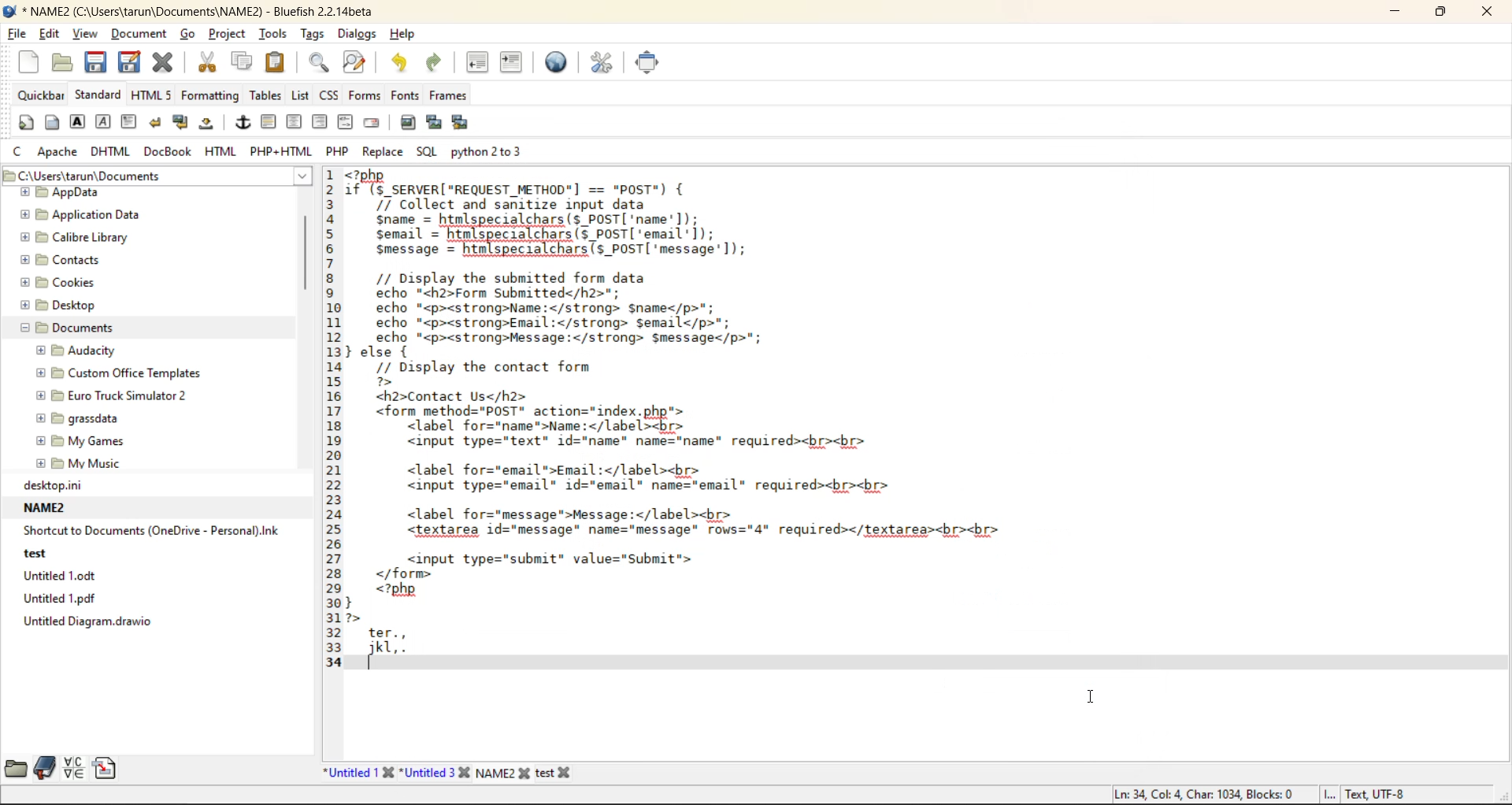 The width and height of the screenshot is (1512, 805). Describe the element at coordinates (17, 34) in the screenshot. I see `file` at that location.